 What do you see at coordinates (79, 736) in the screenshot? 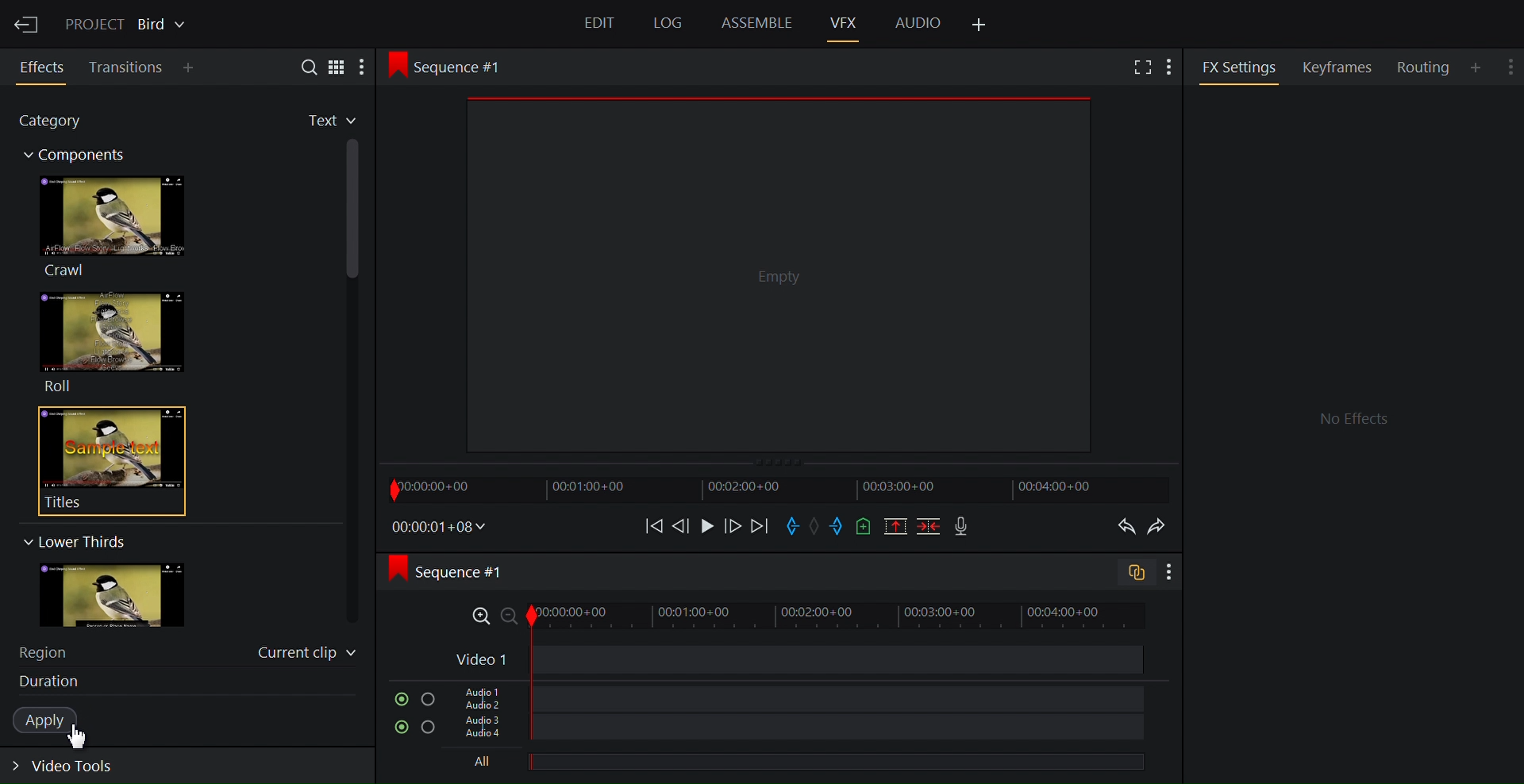
I see `Cursor` at bounding box center [79, 736].